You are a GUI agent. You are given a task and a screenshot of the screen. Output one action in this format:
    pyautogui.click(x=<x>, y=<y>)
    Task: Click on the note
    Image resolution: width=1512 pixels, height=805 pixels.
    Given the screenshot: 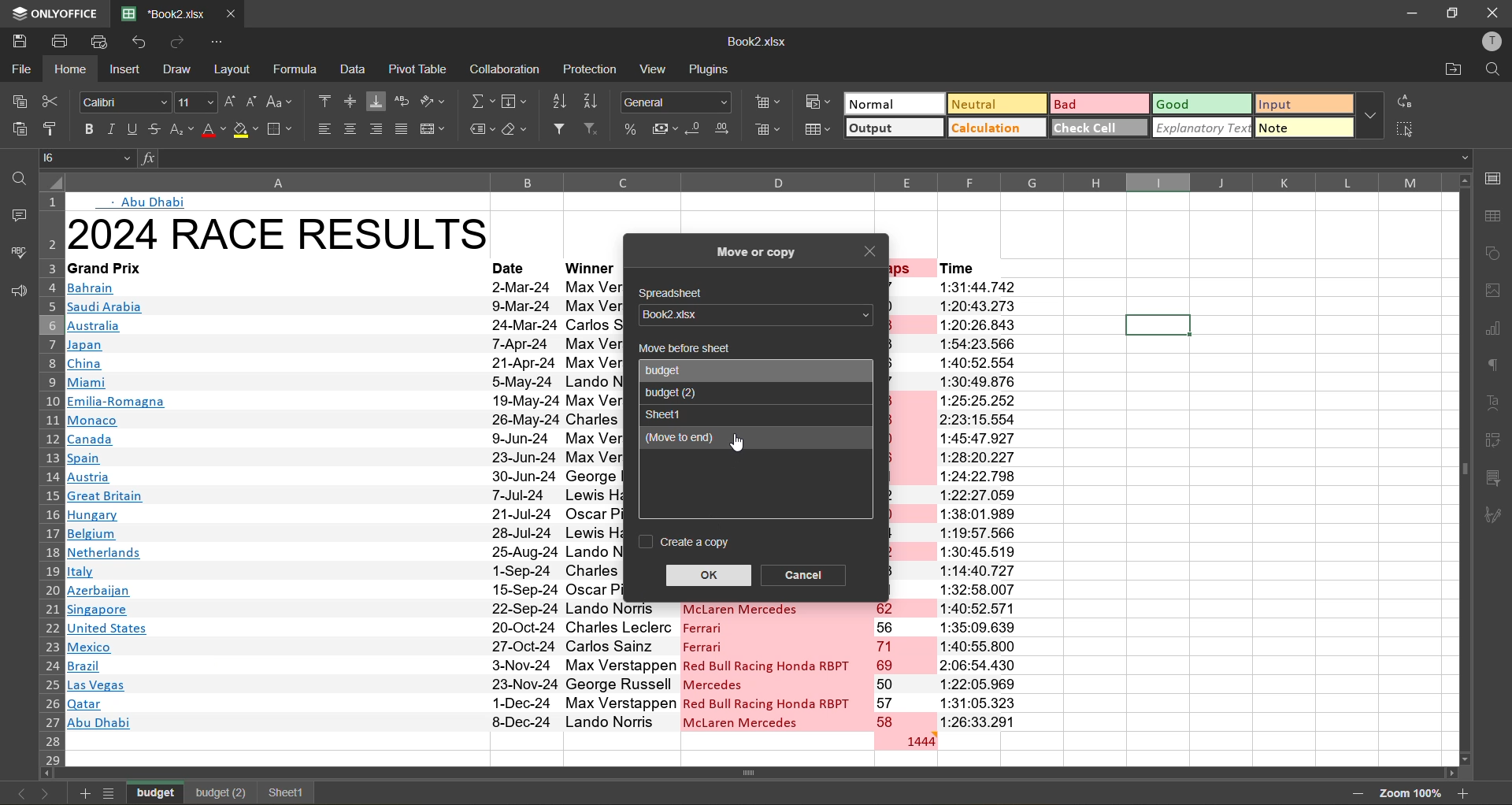 What is the action you would take?
    pyautogui.click(x=1303, y=126)
    